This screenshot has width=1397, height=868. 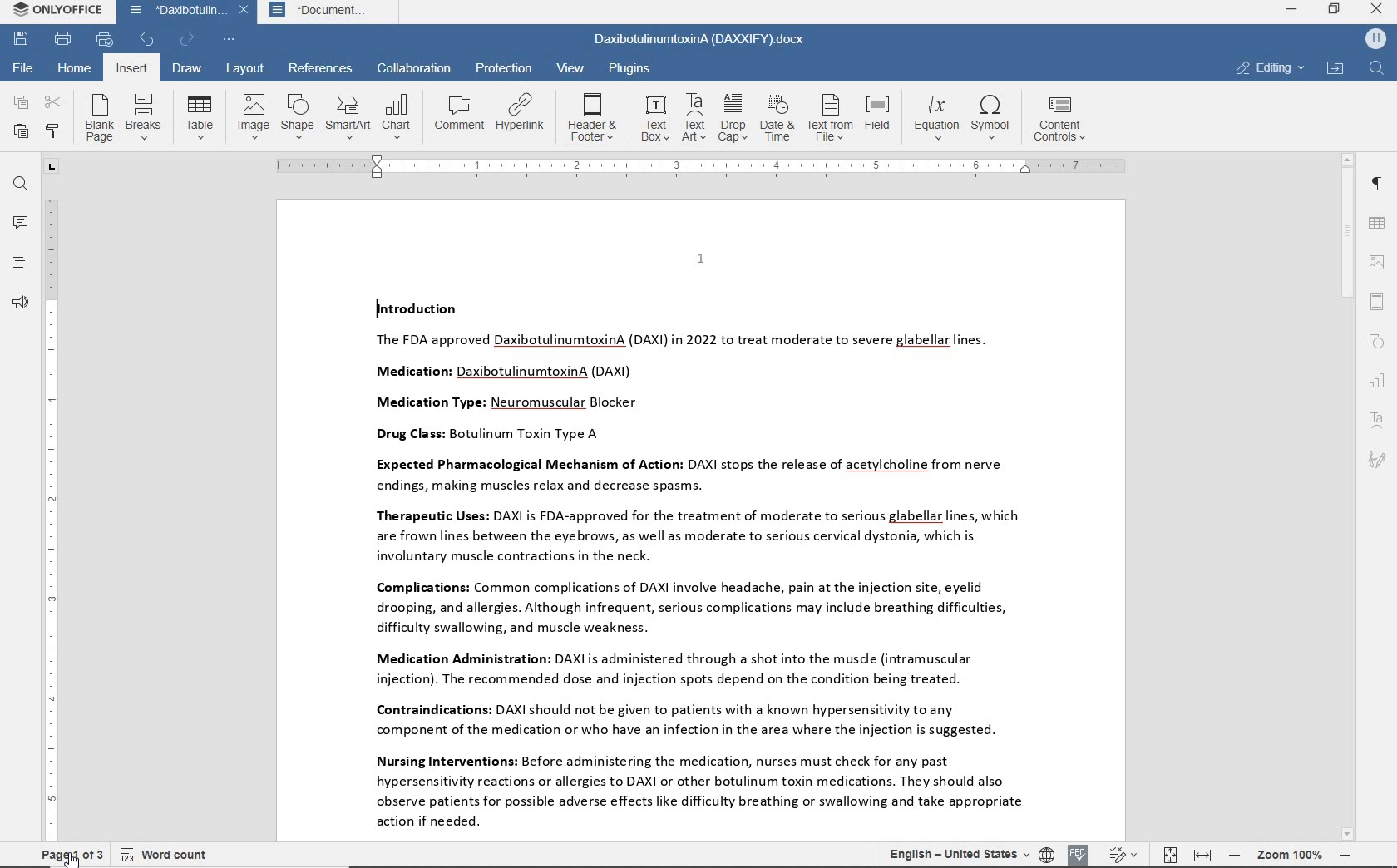 What do you see at coordinates (1378, 224) in the screenshot?
I see `table` at bounding box center [1378, 224].